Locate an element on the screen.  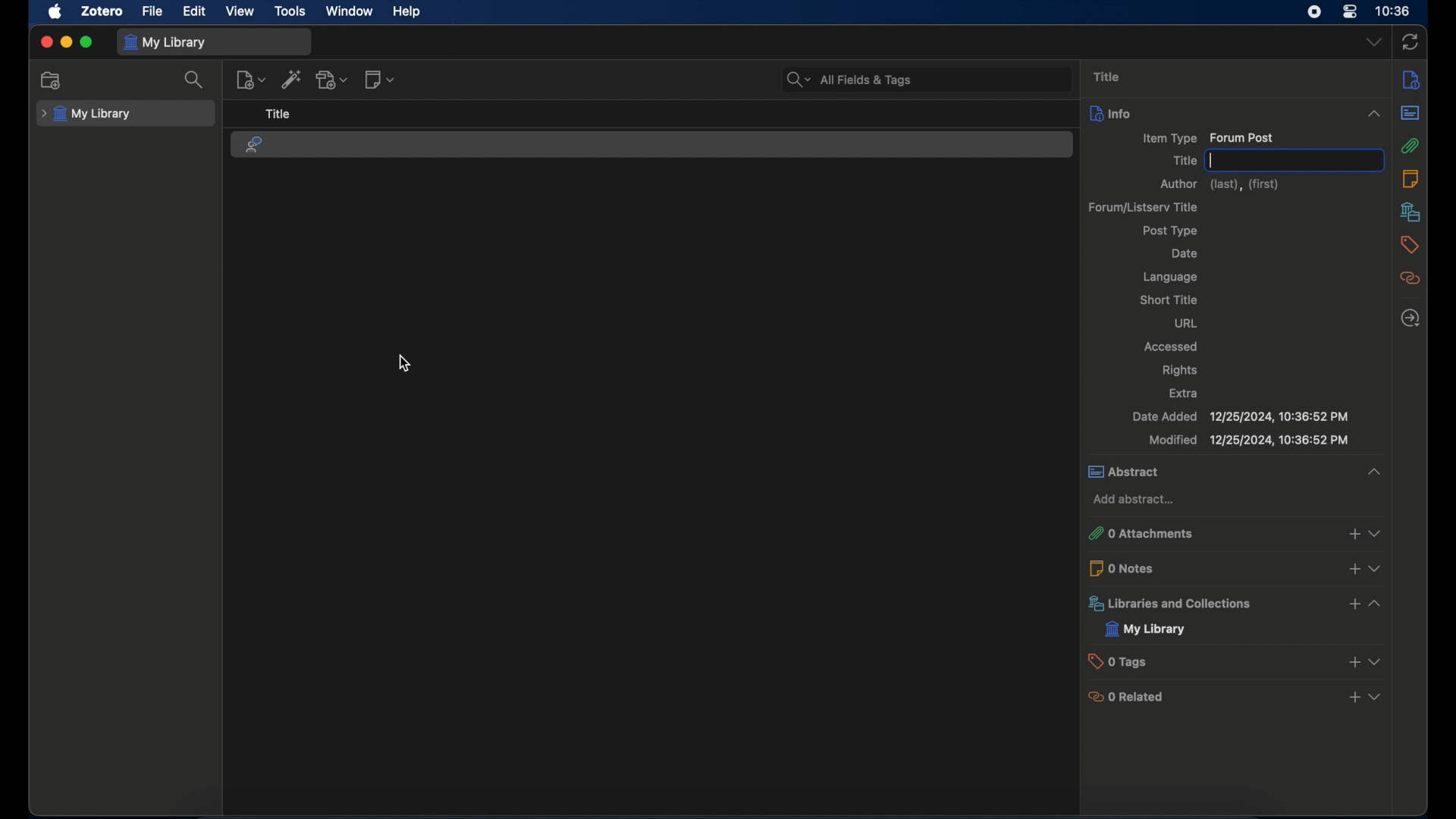
libraries and collections is located at coordinates (1234, 603).